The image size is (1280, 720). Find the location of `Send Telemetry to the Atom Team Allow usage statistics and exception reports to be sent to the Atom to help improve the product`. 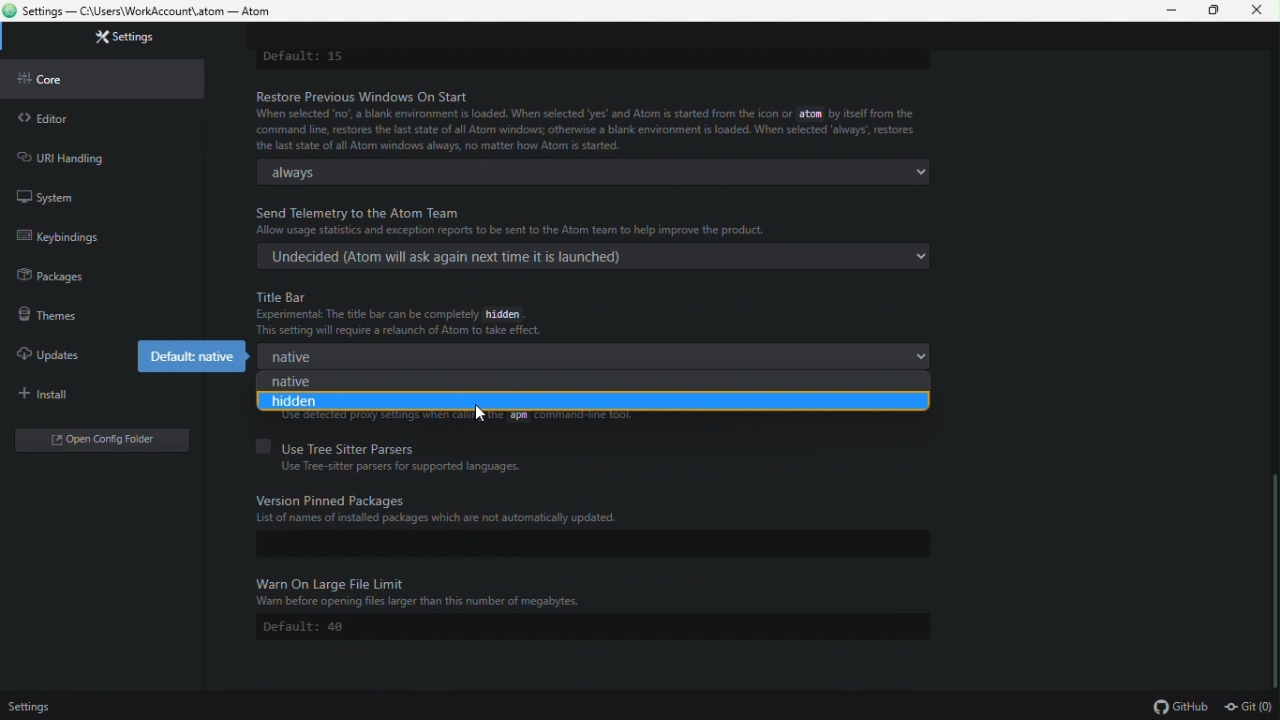

Send Telemetry to the Atom Team Allow usage statistics and exception reports to be sent to the Atom to help improve the product is located at coordinates (538, 220).